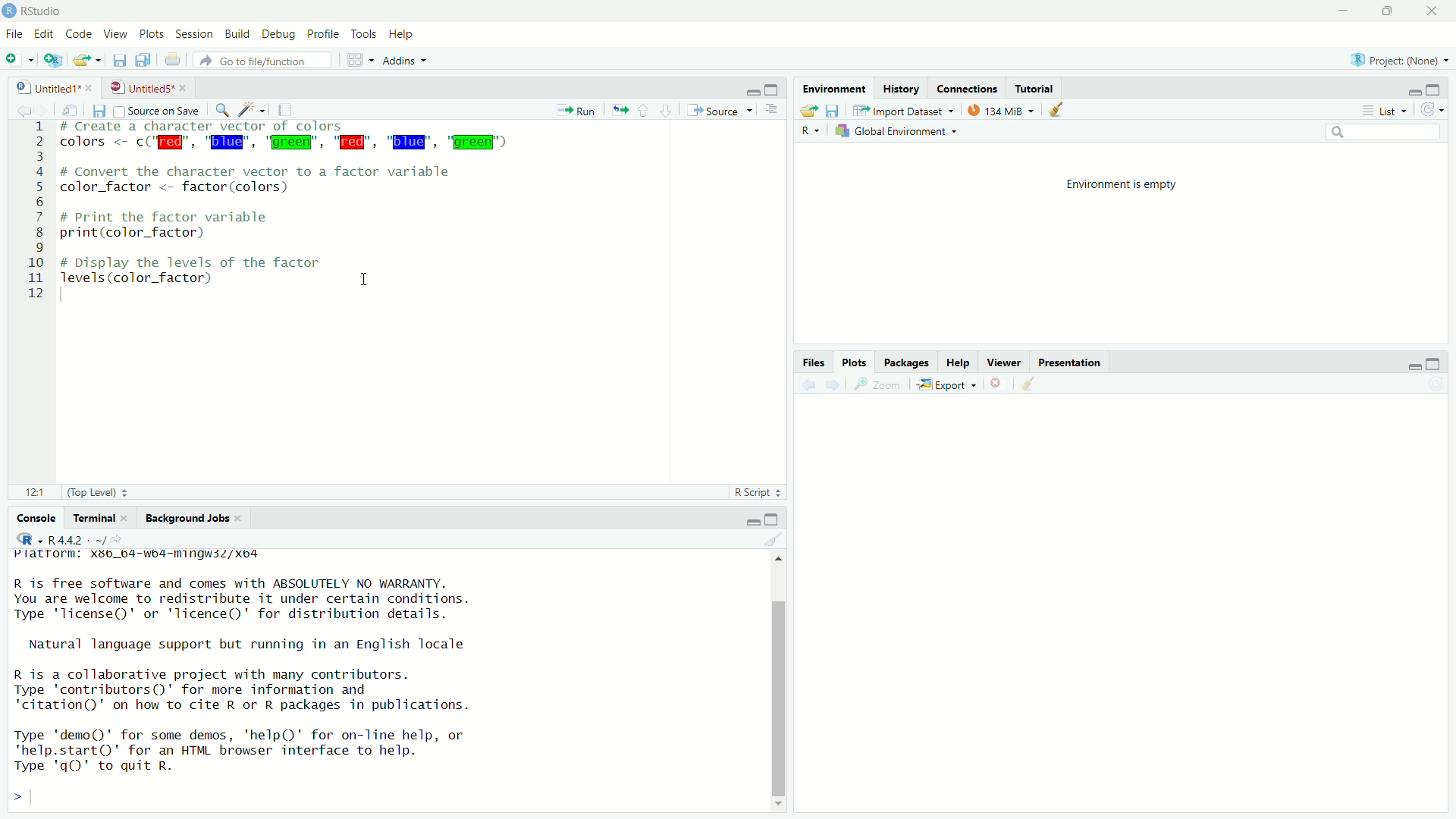 The image size is (1456, 819). Describe the element at coordinates (1439, 88) in the screenshot. I see `maximize` at that location.